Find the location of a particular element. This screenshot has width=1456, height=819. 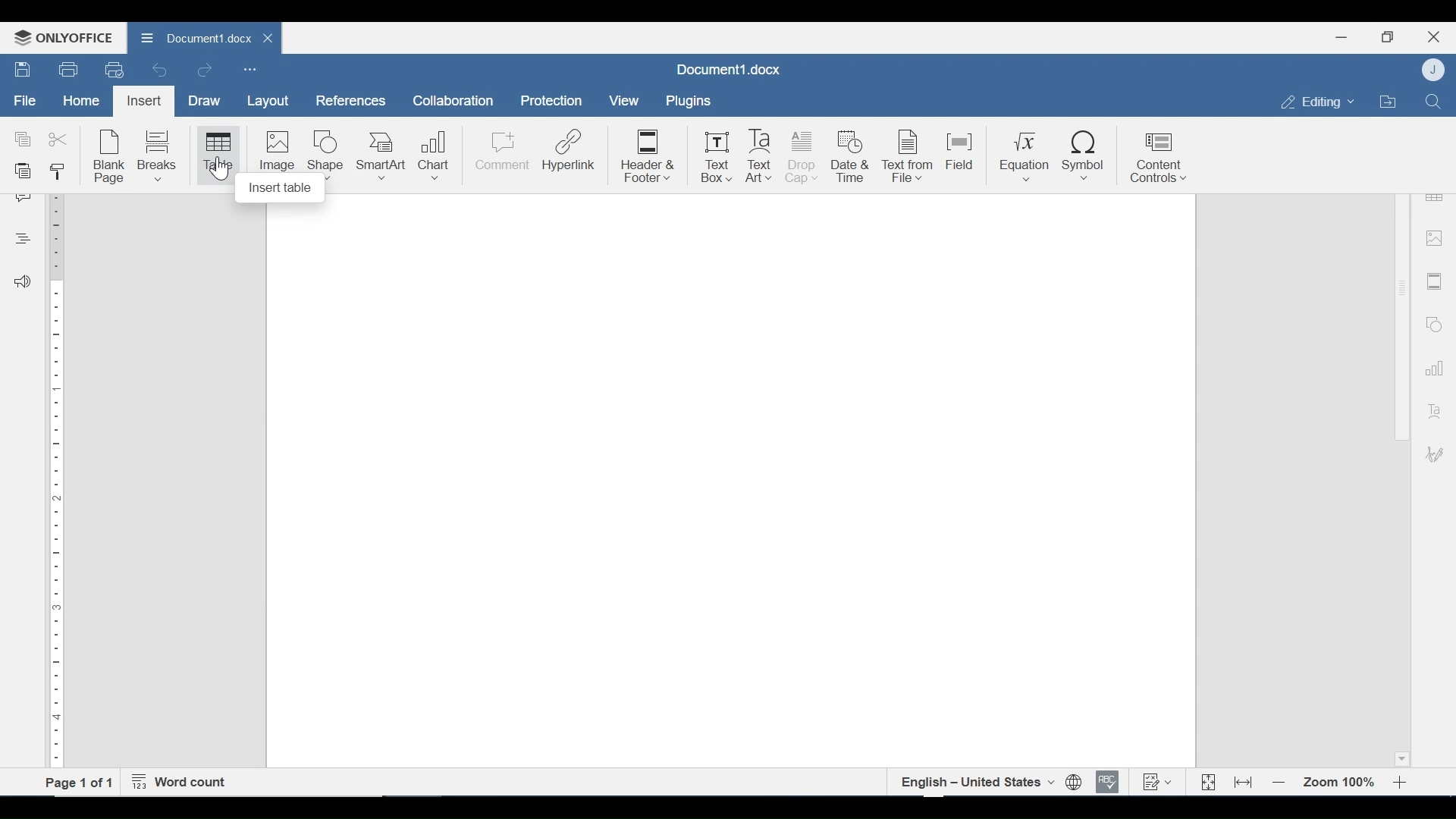

Document1.docx is located at coordinates (730, 71).